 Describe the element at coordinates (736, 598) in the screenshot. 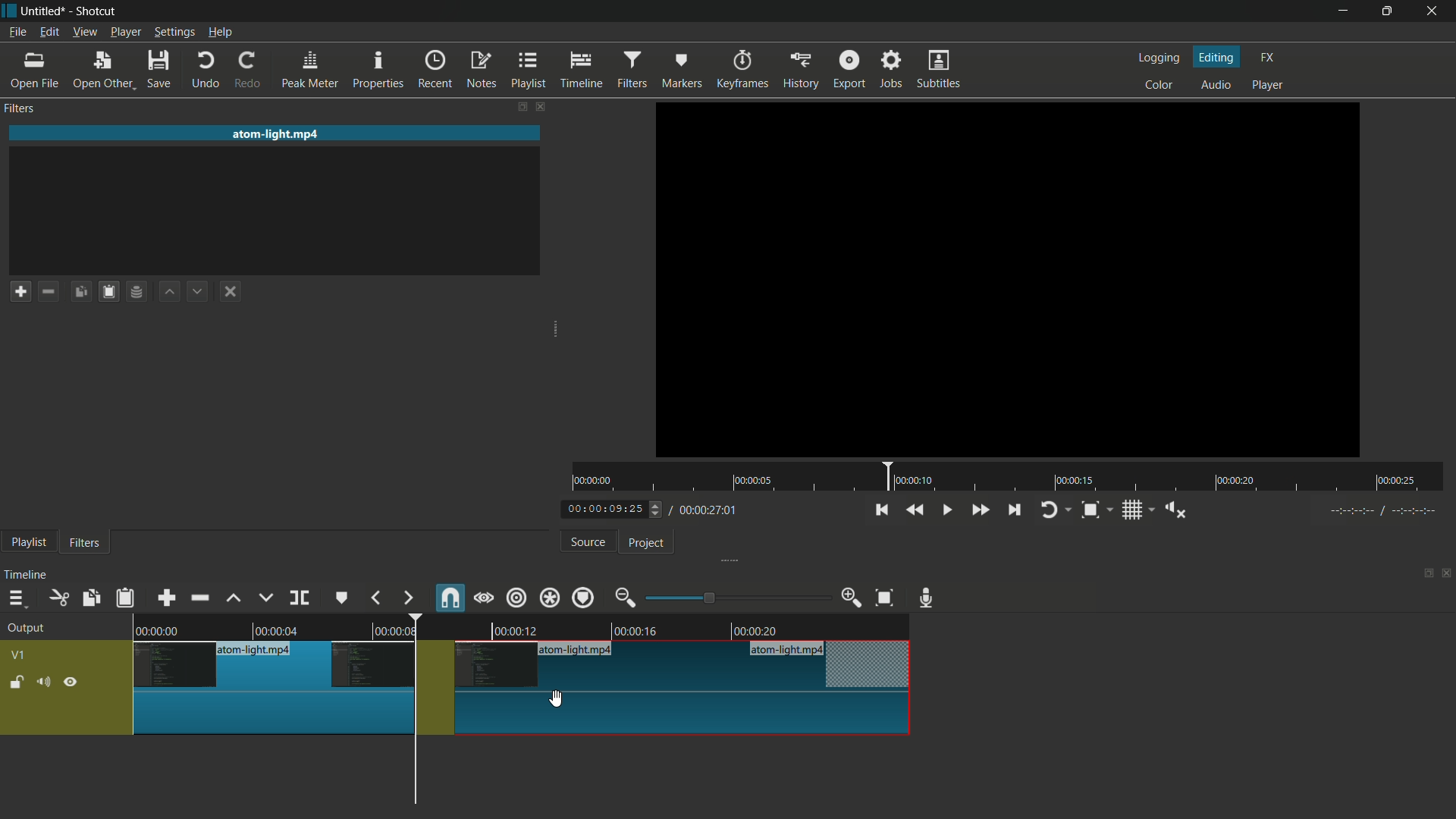

I see `adjustment bar` at that location.